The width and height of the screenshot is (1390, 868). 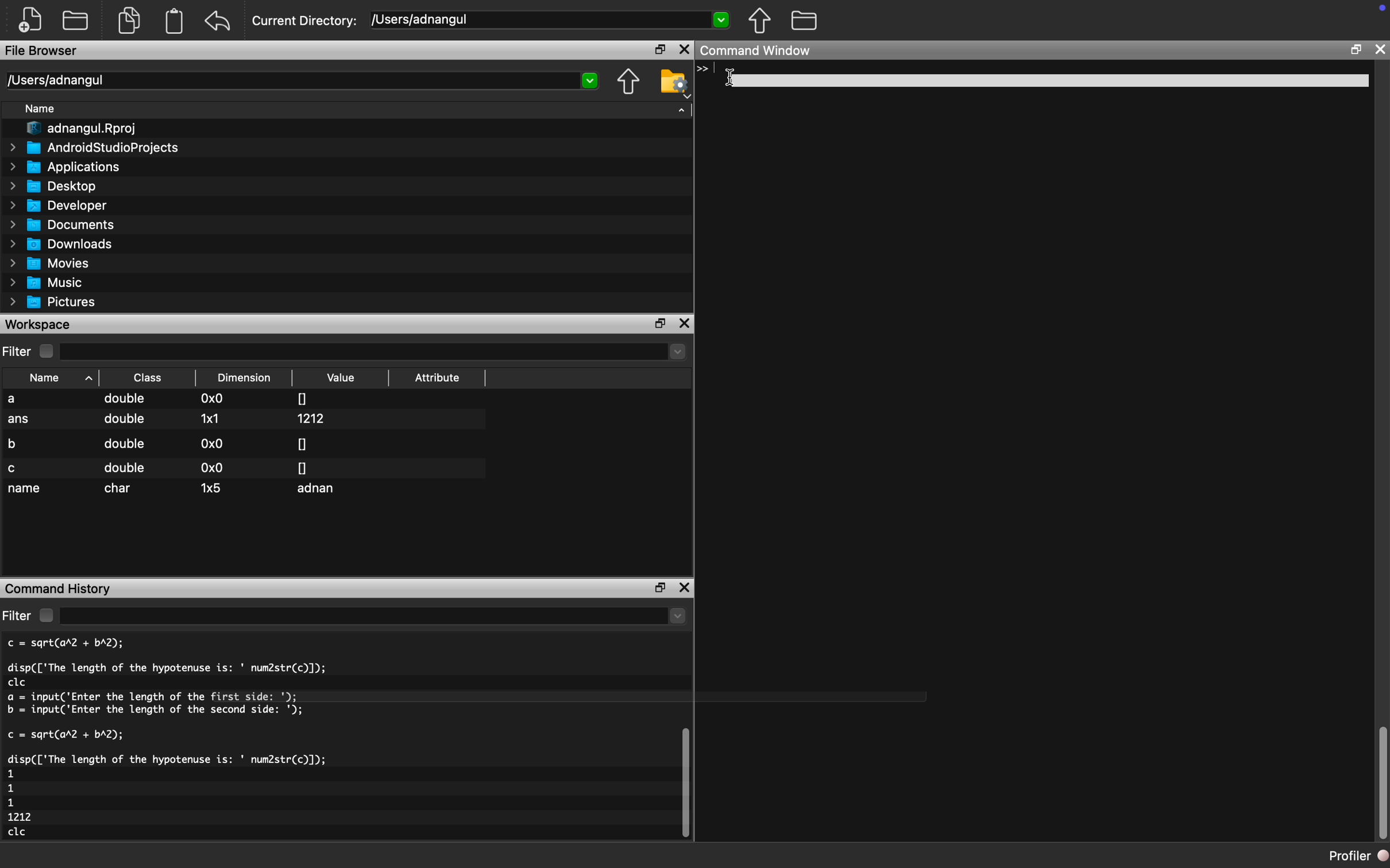 What do you see at coordinates (126, 400) in the screenshot?
I see `double` at bounding box center [126, 400].